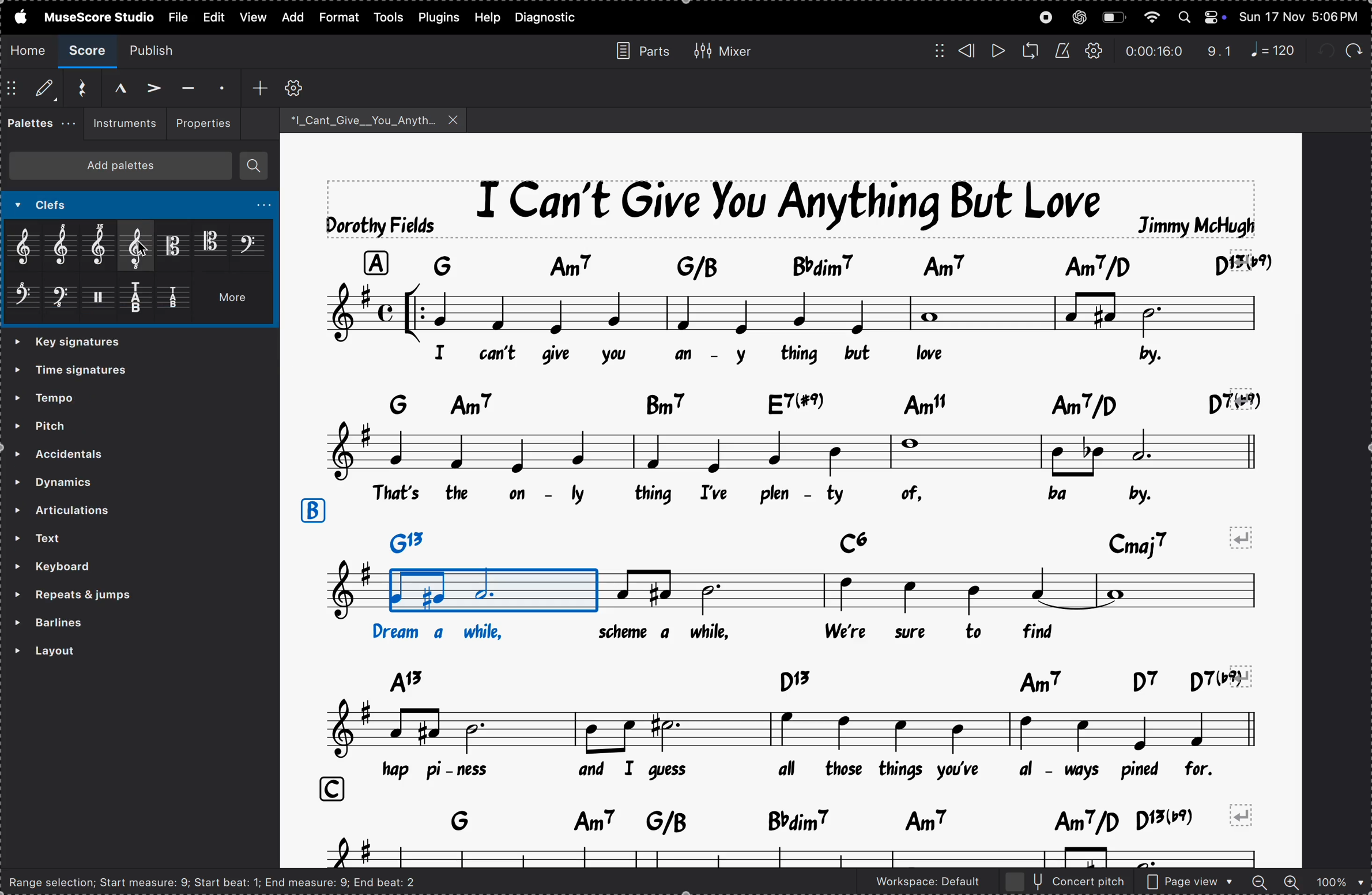  Describe the element at coordinates (1095, 51) in the screenshot. I see `playback settings` at that location.